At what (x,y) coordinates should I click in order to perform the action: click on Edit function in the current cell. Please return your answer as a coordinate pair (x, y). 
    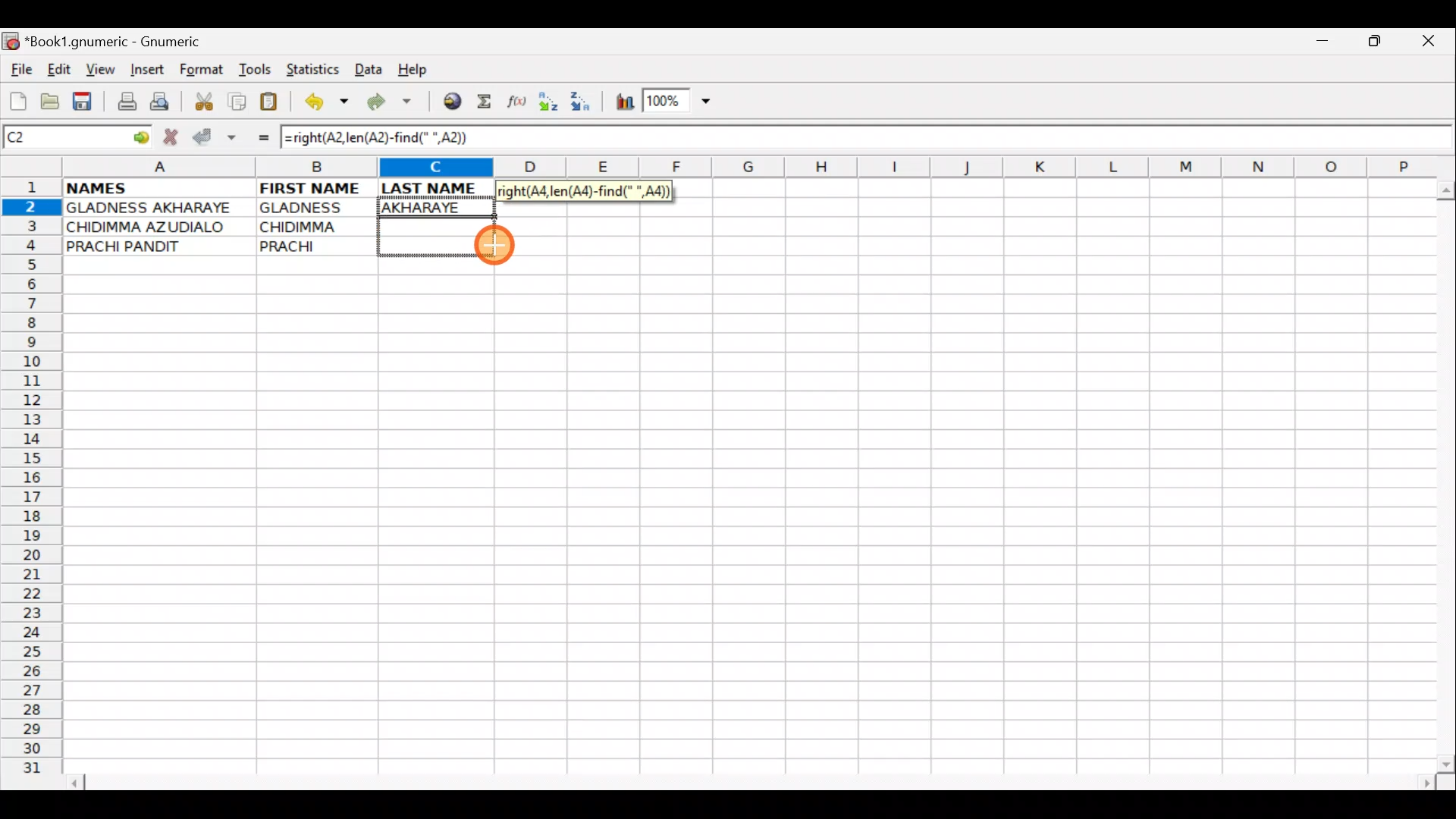
    Looking at the image, I should click on (519, 105).